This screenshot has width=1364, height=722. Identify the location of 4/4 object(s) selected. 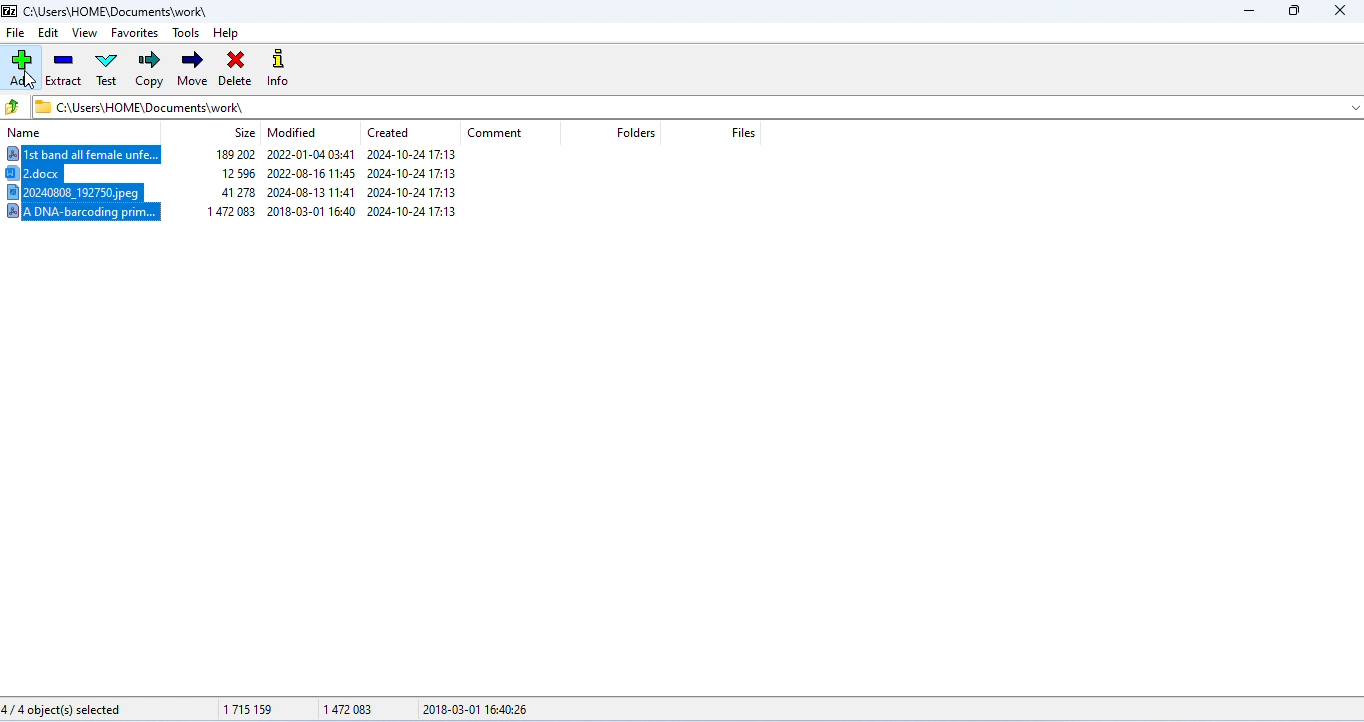
(62, 710).